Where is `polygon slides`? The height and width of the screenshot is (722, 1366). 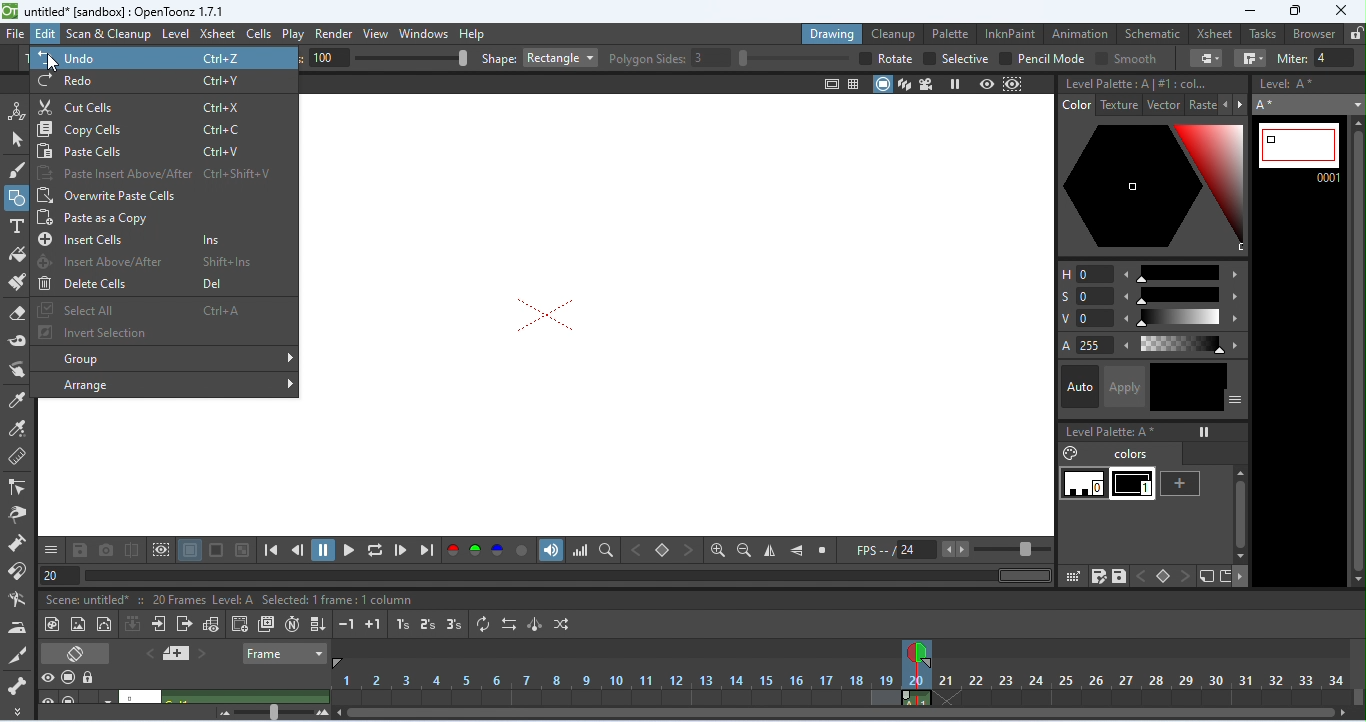 polygon slides is located at coordinates (730, 58).